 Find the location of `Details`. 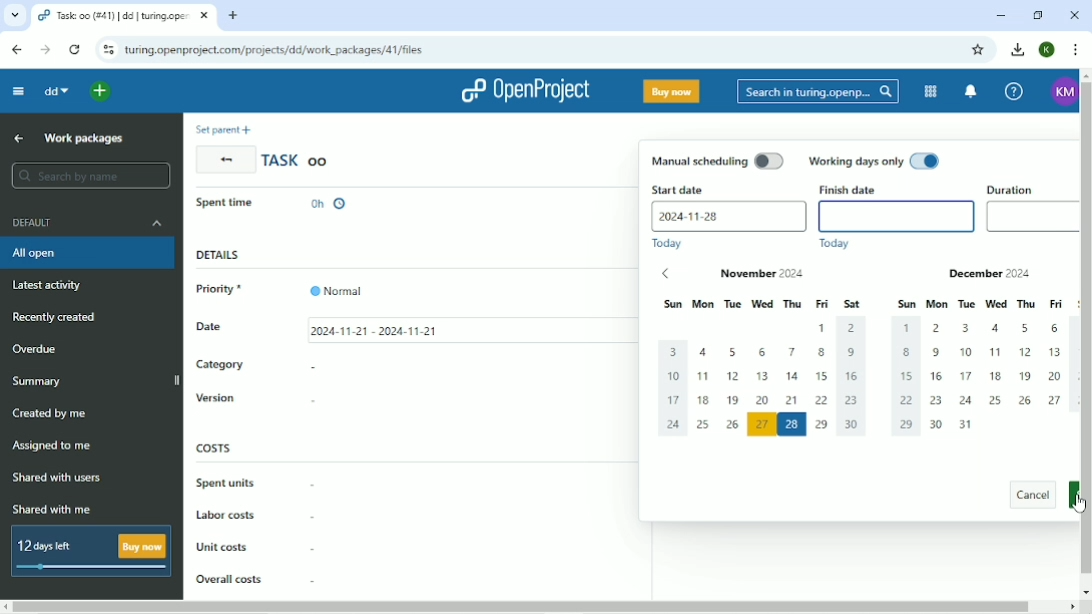

Details is located at coordinates (218, 254).